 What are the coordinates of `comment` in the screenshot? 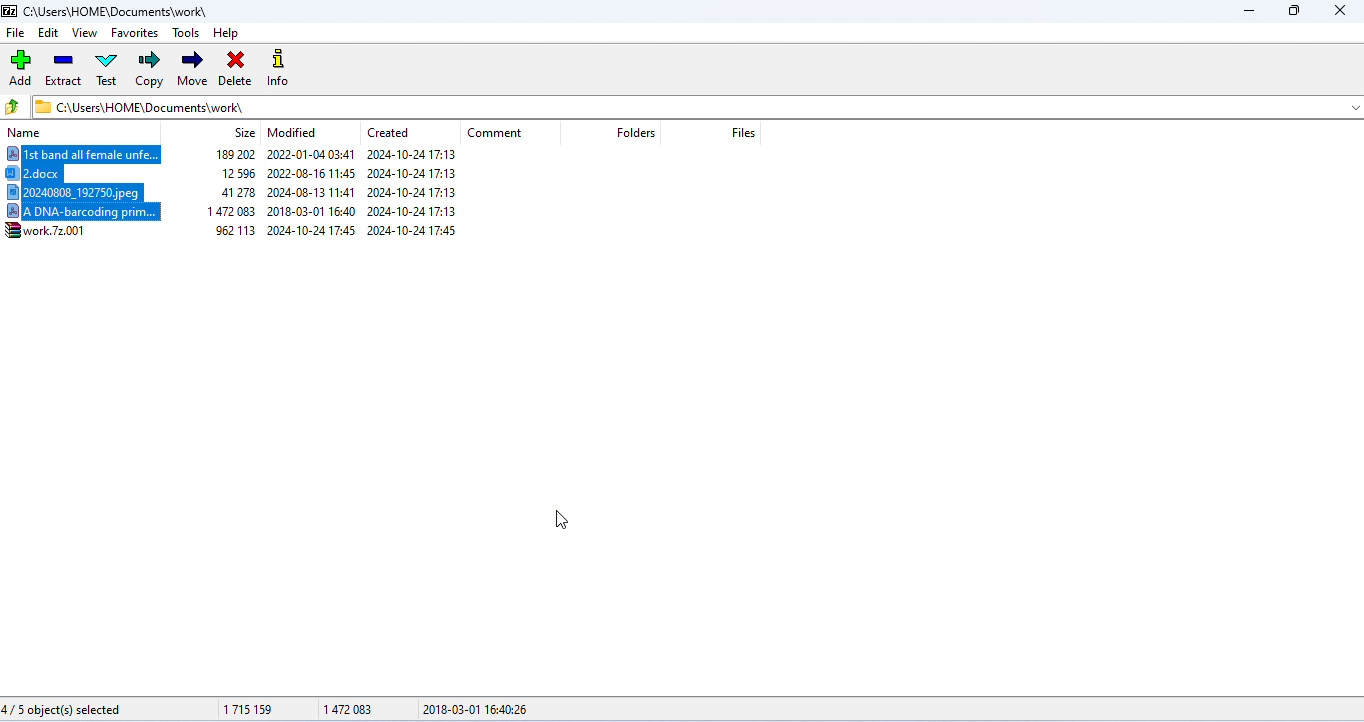 It's located at (494, 134).